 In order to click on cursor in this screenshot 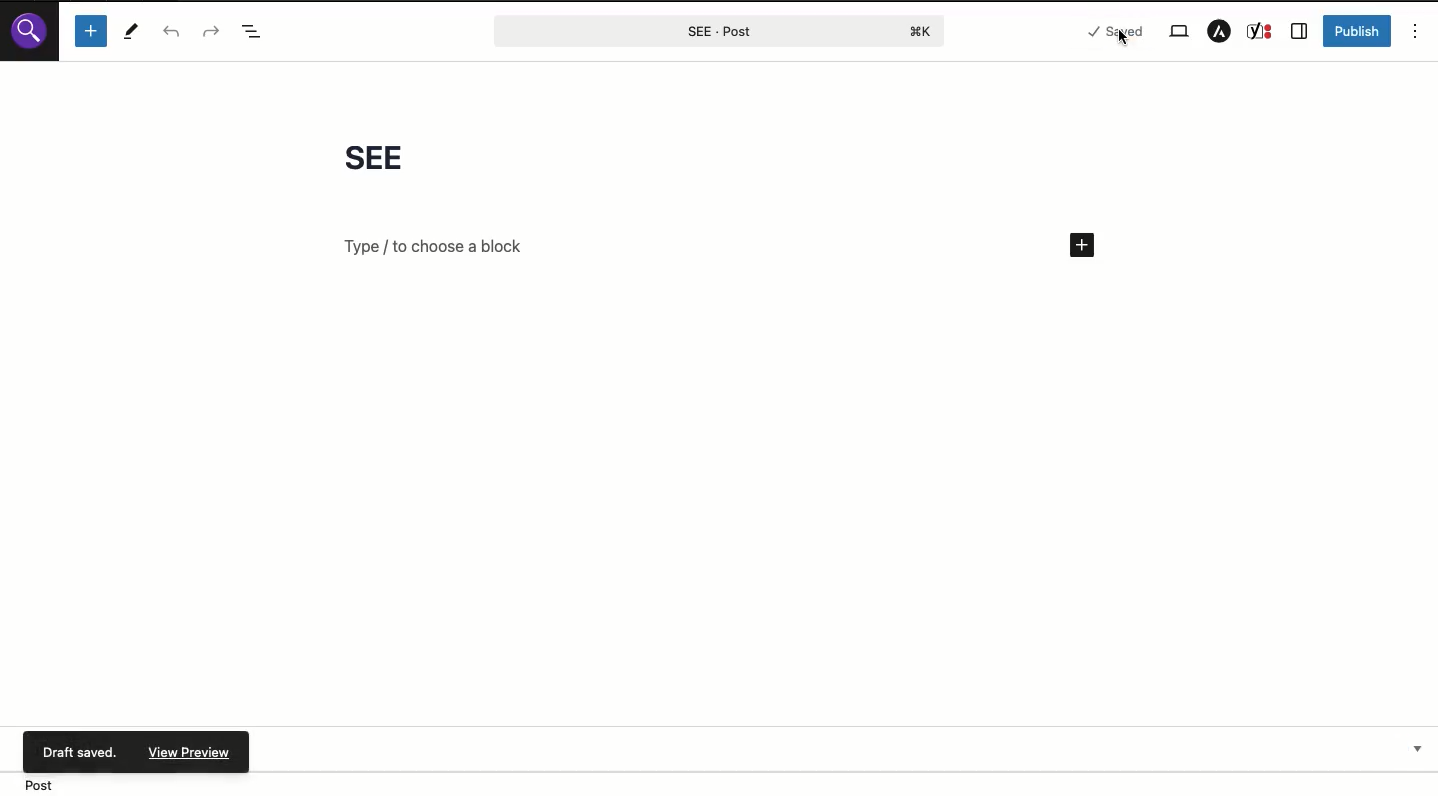, I will do `click(1121, 42)`.